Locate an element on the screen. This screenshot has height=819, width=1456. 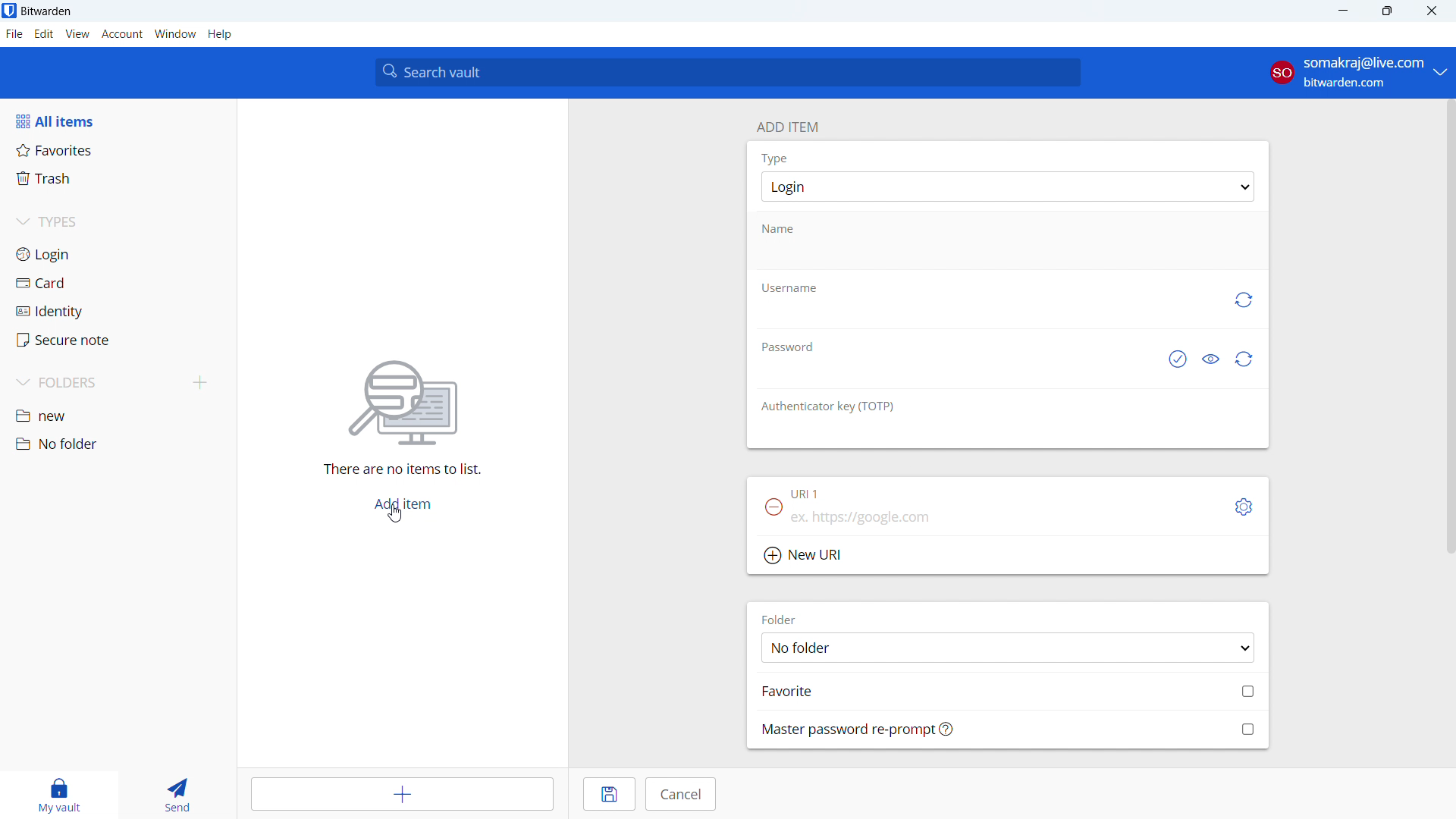
folders is located at coordinates (96, 383).